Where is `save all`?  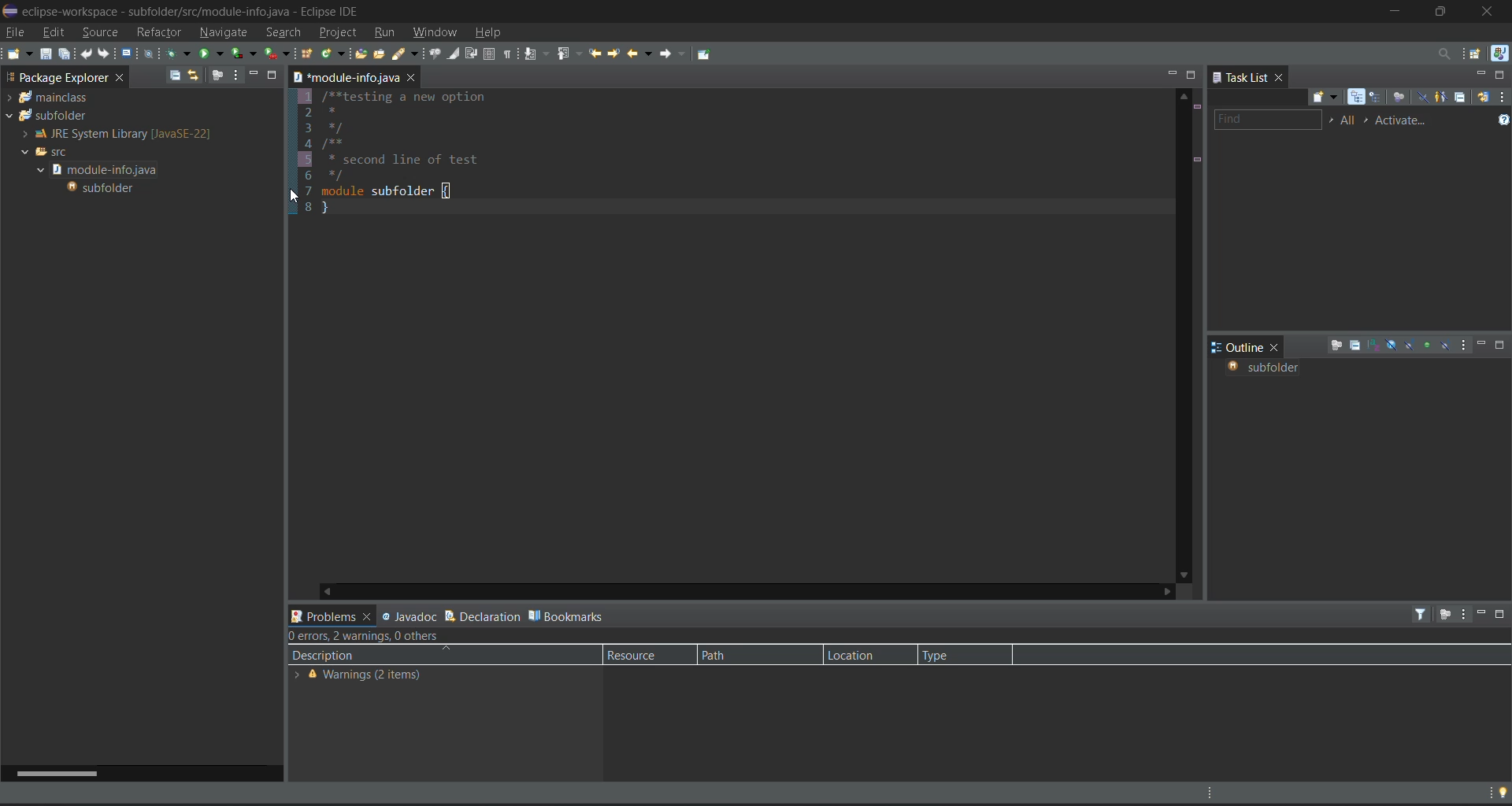 save all is located at coordinates (65, 54).